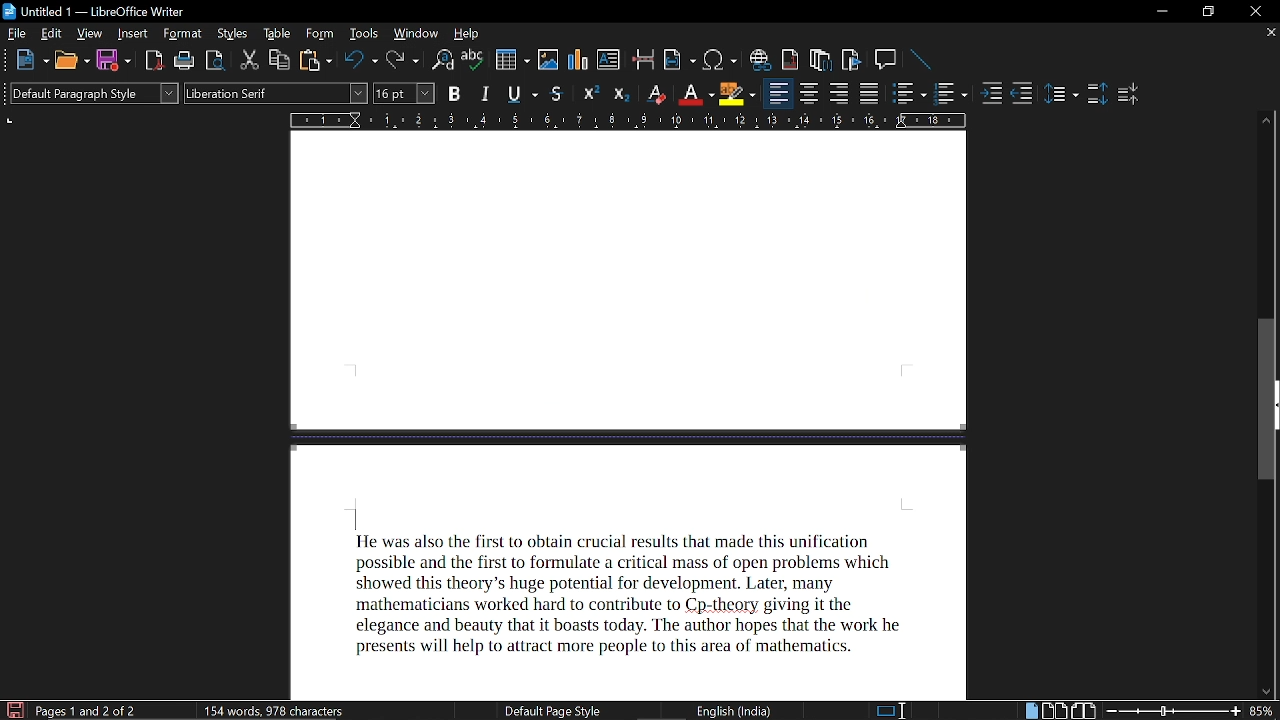 The image size is (1280, 720). Describe the element at coordinates (1095, 95) in the screenshot. I see `Increase paragraph spacing` at that location.